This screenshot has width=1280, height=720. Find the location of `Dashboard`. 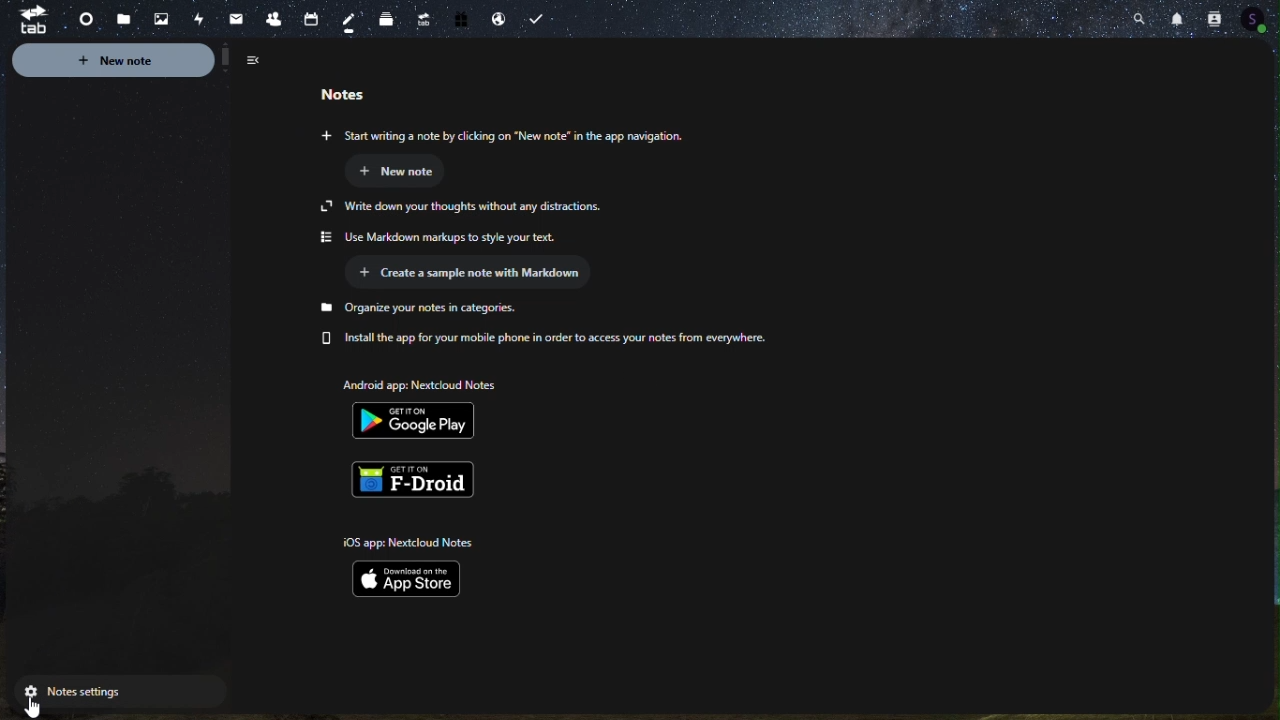

Dashboard is located at coordinates (78, 18).